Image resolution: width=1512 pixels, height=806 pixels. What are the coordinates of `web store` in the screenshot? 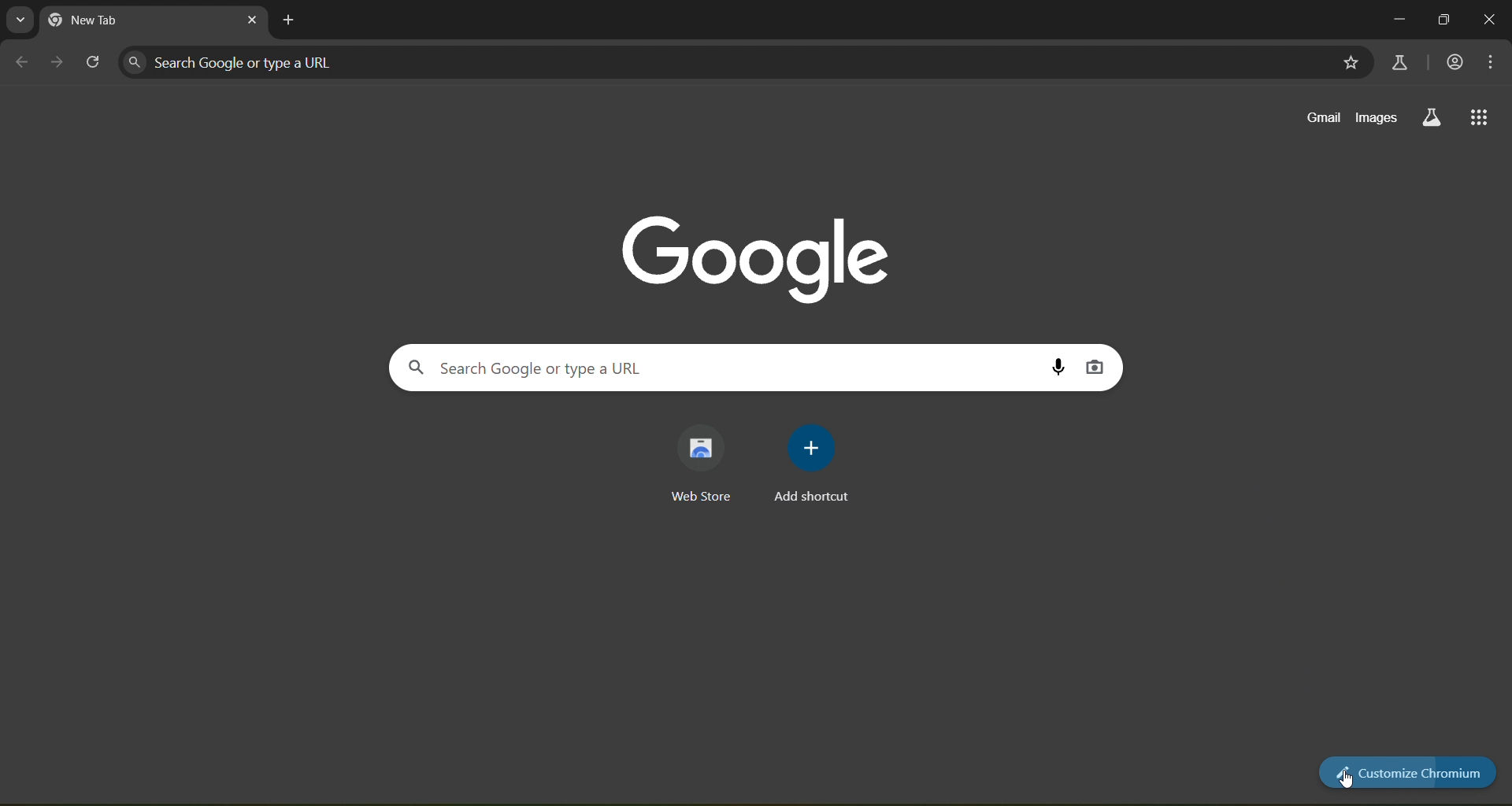 It's located at (703, 464).